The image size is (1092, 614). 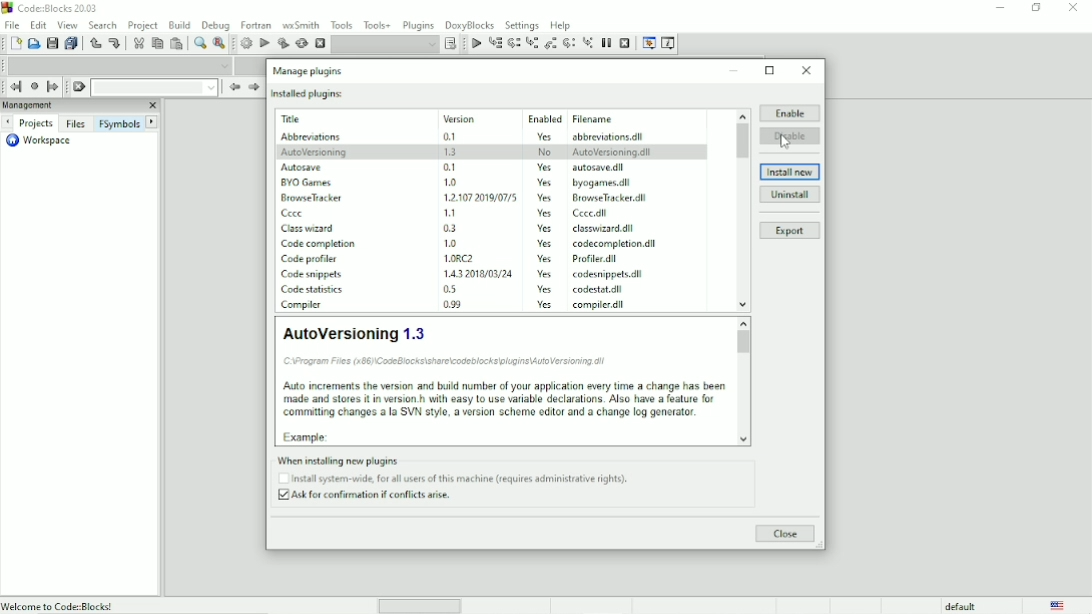 What do you see at coordinates (143, 24) in the screenshot?
I see `Project` at bounding box center [143, 24].